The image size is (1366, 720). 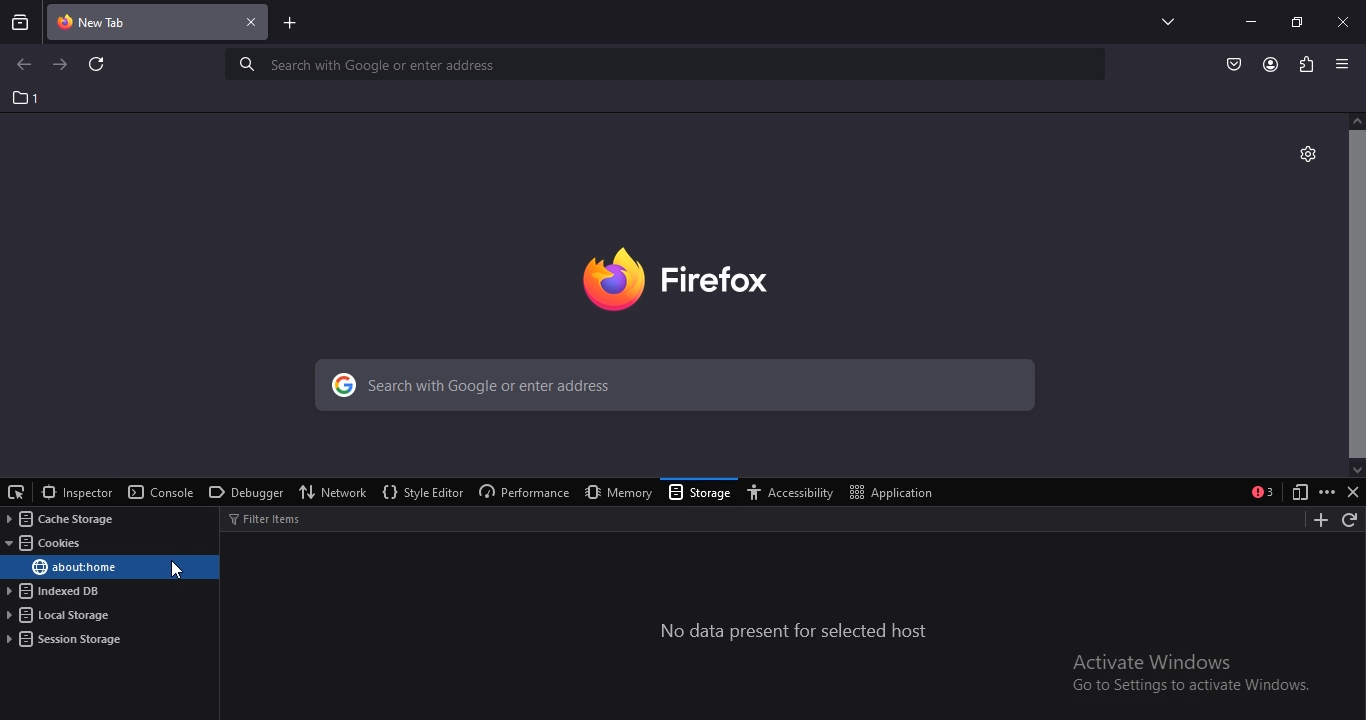 I want to click on click to go to previous page, so click(x=23, y=65).